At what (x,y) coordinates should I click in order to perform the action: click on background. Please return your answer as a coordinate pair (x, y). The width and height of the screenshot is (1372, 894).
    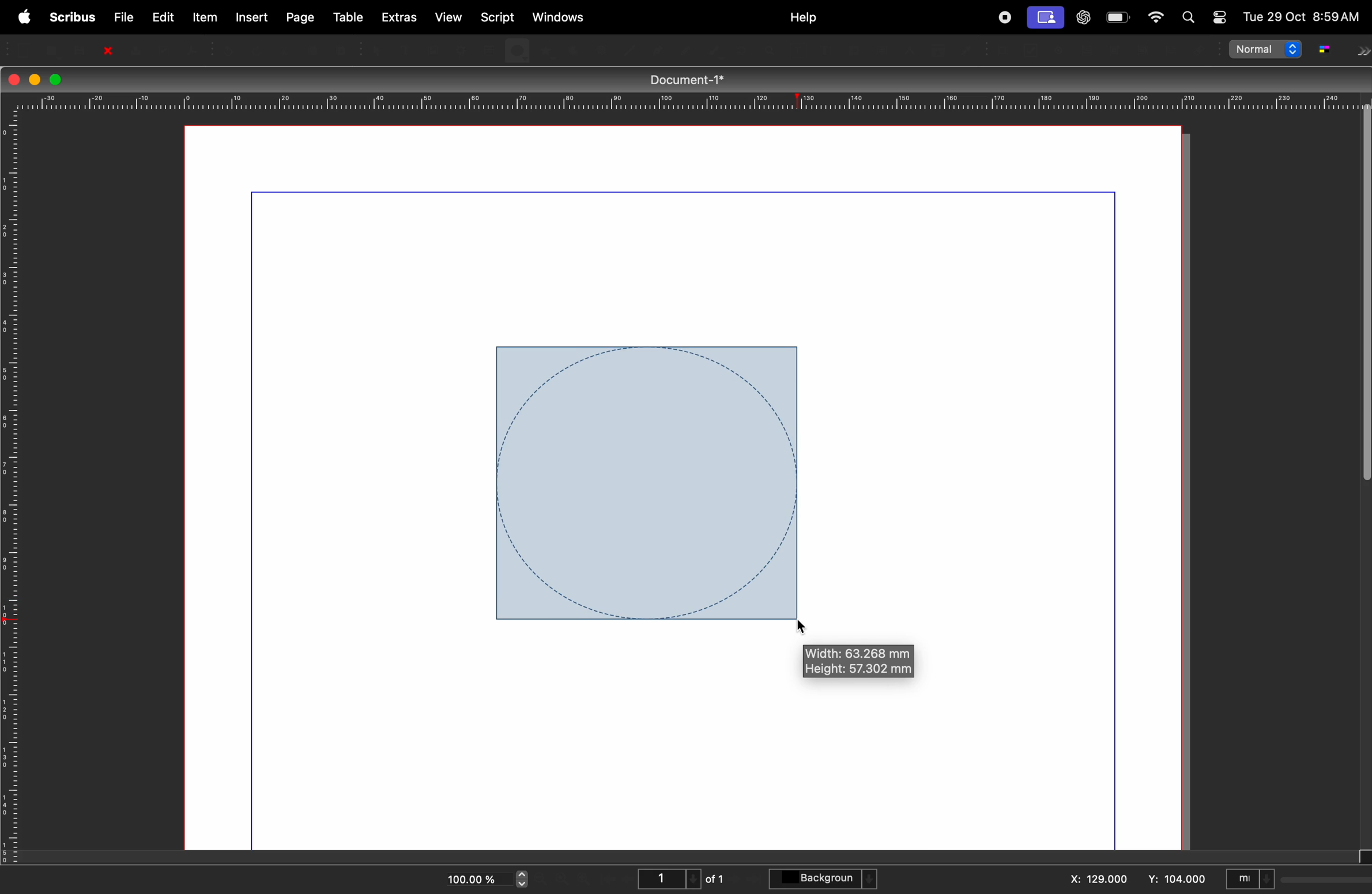
    Looking at the image, I should click on (826, 880).